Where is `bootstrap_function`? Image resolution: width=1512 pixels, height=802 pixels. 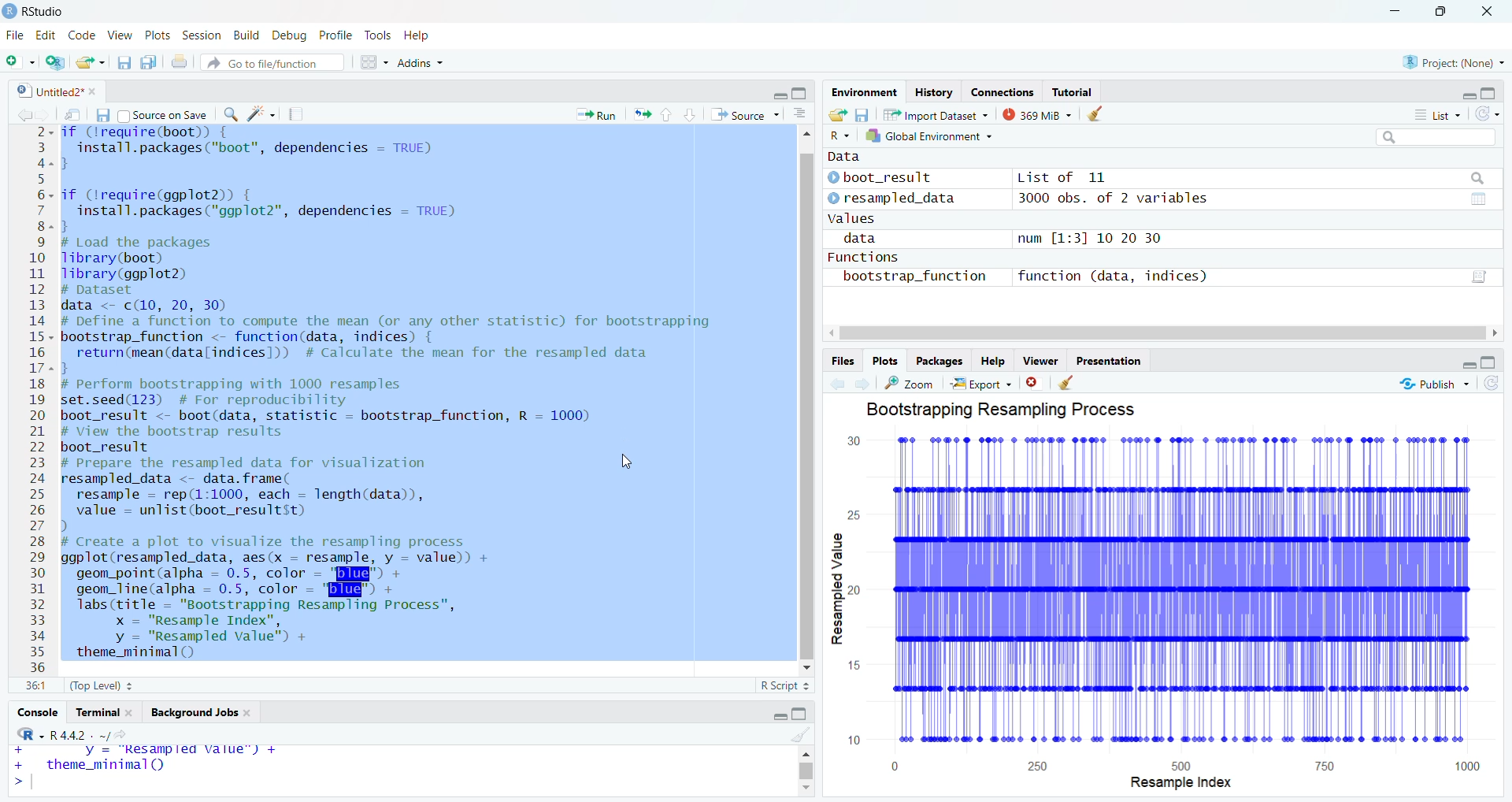 bootstrap_function is located at coordinates (913, 278).